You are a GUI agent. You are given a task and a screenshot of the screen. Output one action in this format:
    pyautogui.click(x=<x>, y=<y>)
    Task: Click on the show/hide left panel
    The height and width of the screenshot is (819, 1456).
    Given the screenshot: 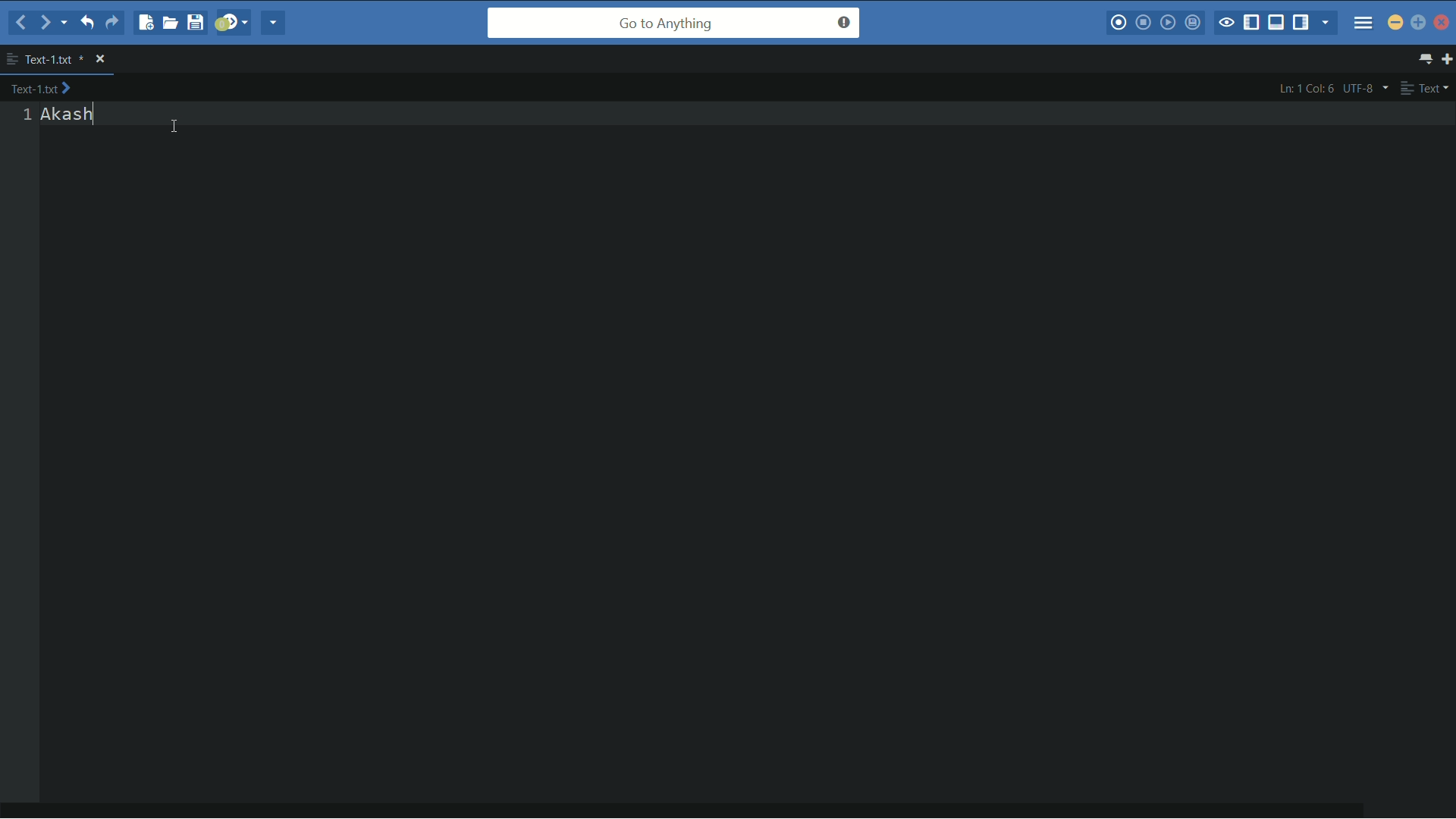 What is the action you would take?
    pyautogui.click(x=1252, y=23)
    